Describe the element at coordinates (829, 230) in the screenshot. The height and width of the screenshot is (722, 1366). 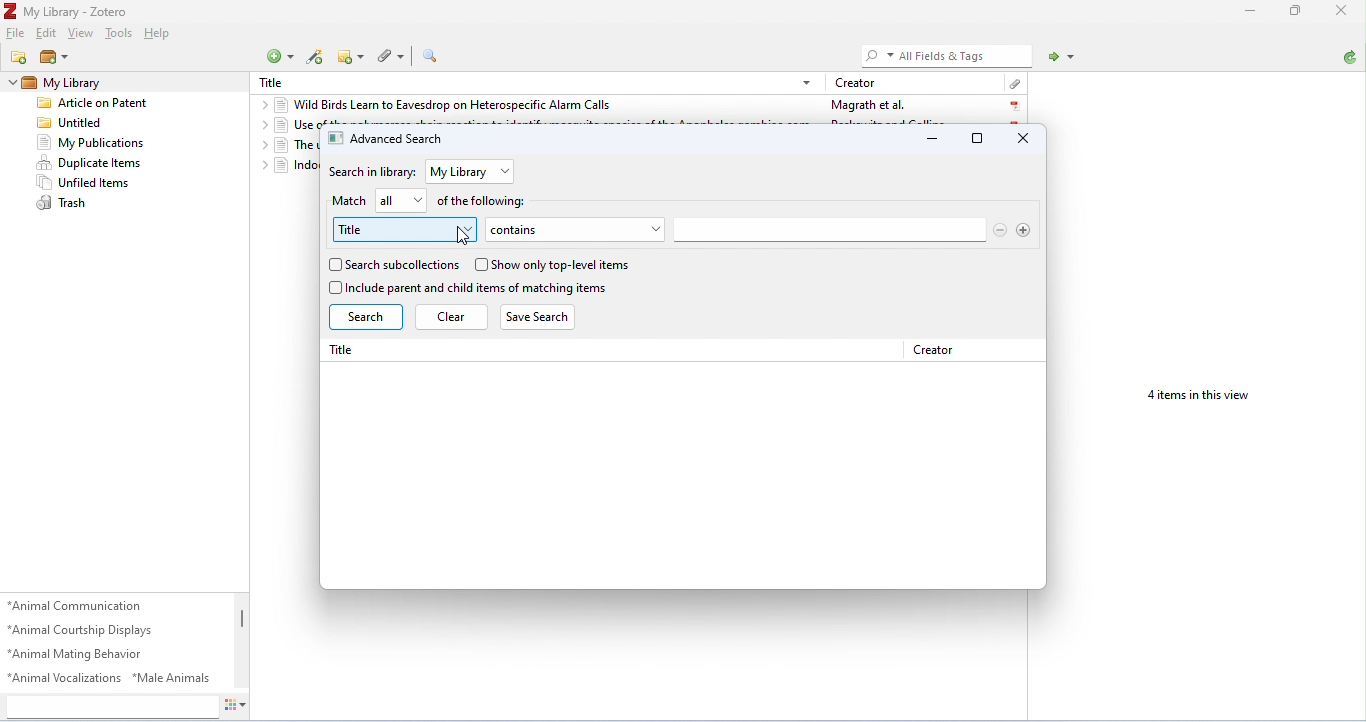
I see `search bar` at that location.